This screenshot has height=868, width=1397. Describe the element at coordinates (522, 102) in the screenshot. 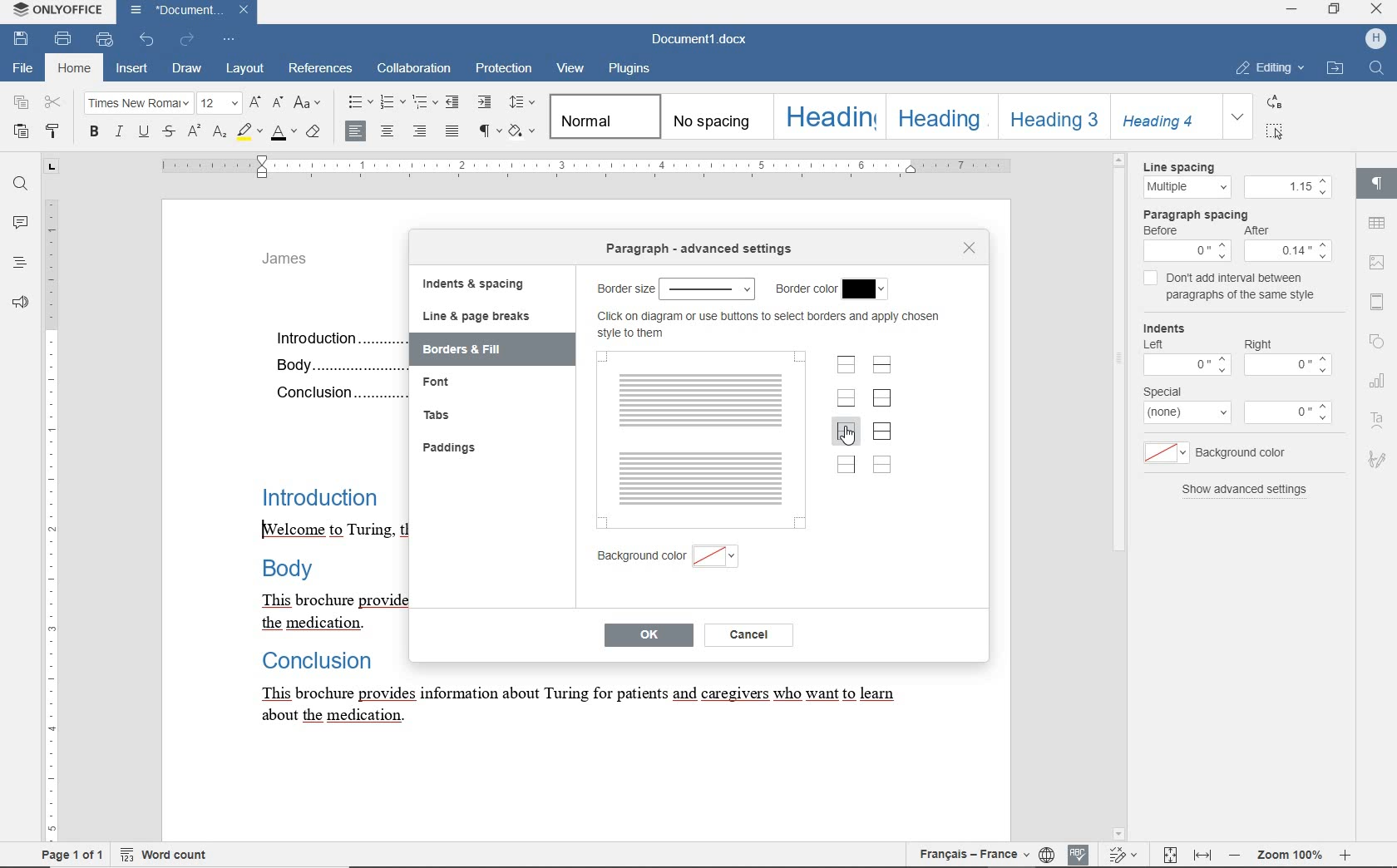

I see `paragraph line spacing` at that location.